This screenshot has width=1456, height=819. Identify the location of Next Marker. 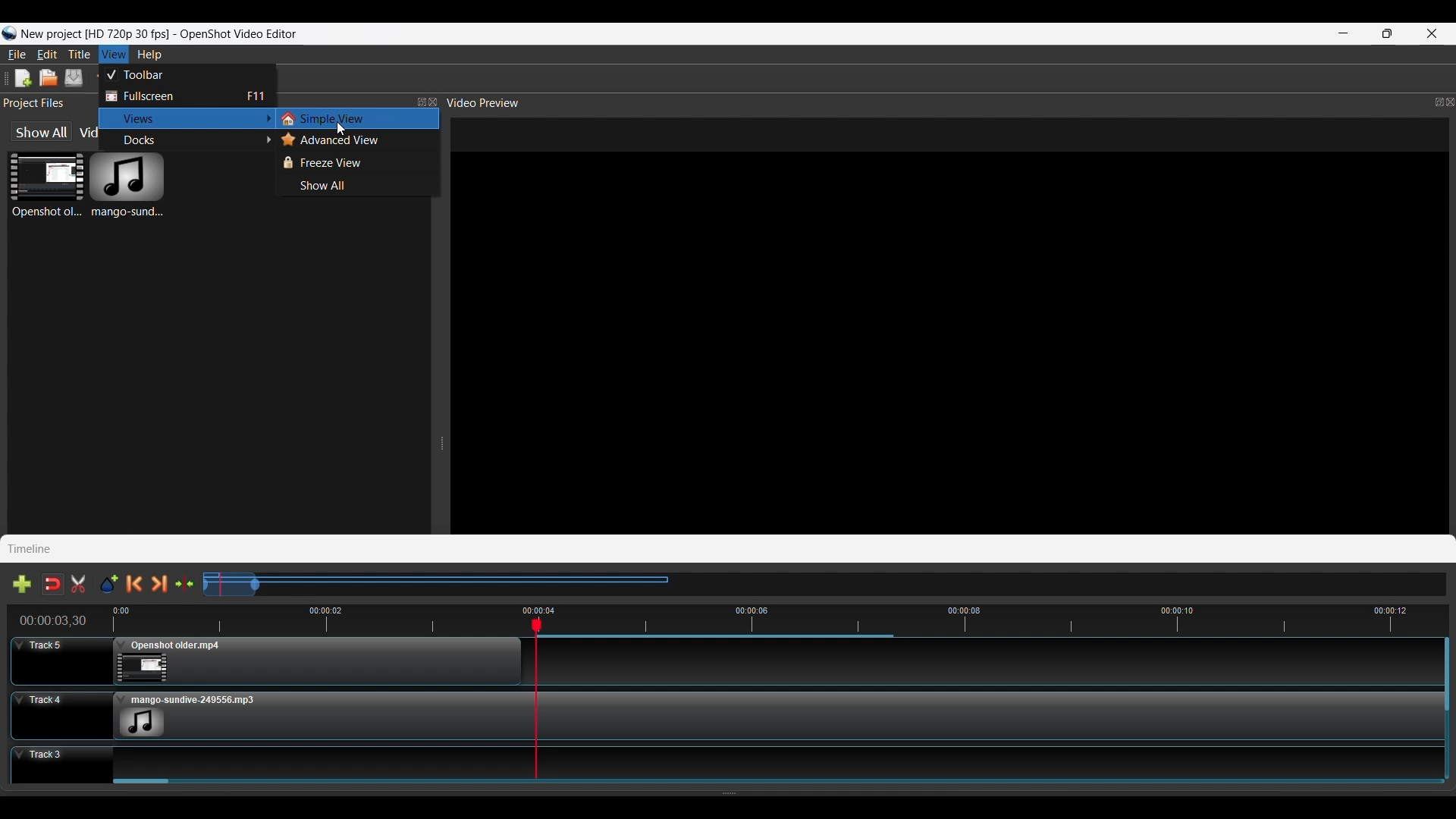
(160, 584).